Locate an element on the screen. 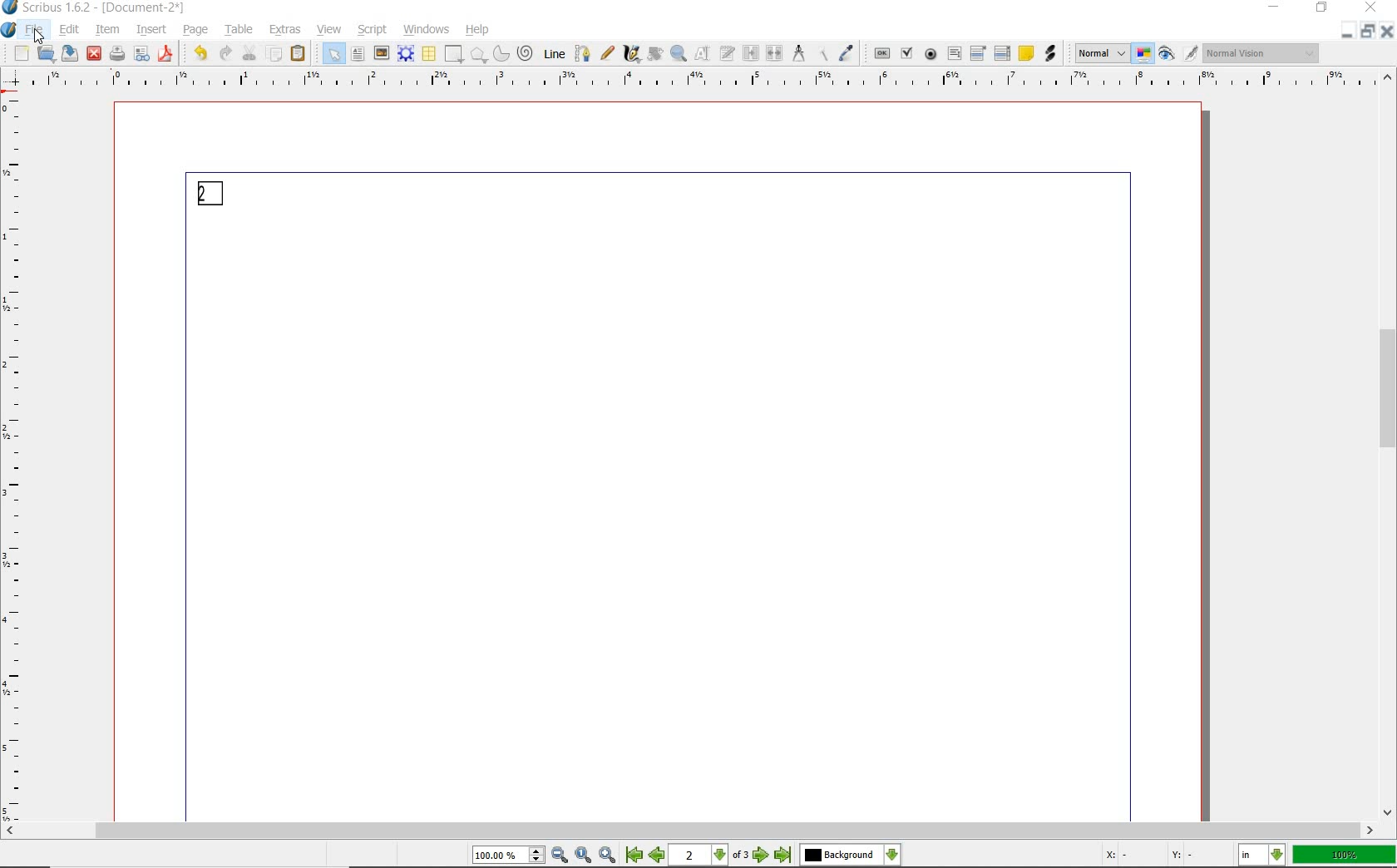 This screenshot has height=868, width=1397. help is located at coordinates (478, 31).